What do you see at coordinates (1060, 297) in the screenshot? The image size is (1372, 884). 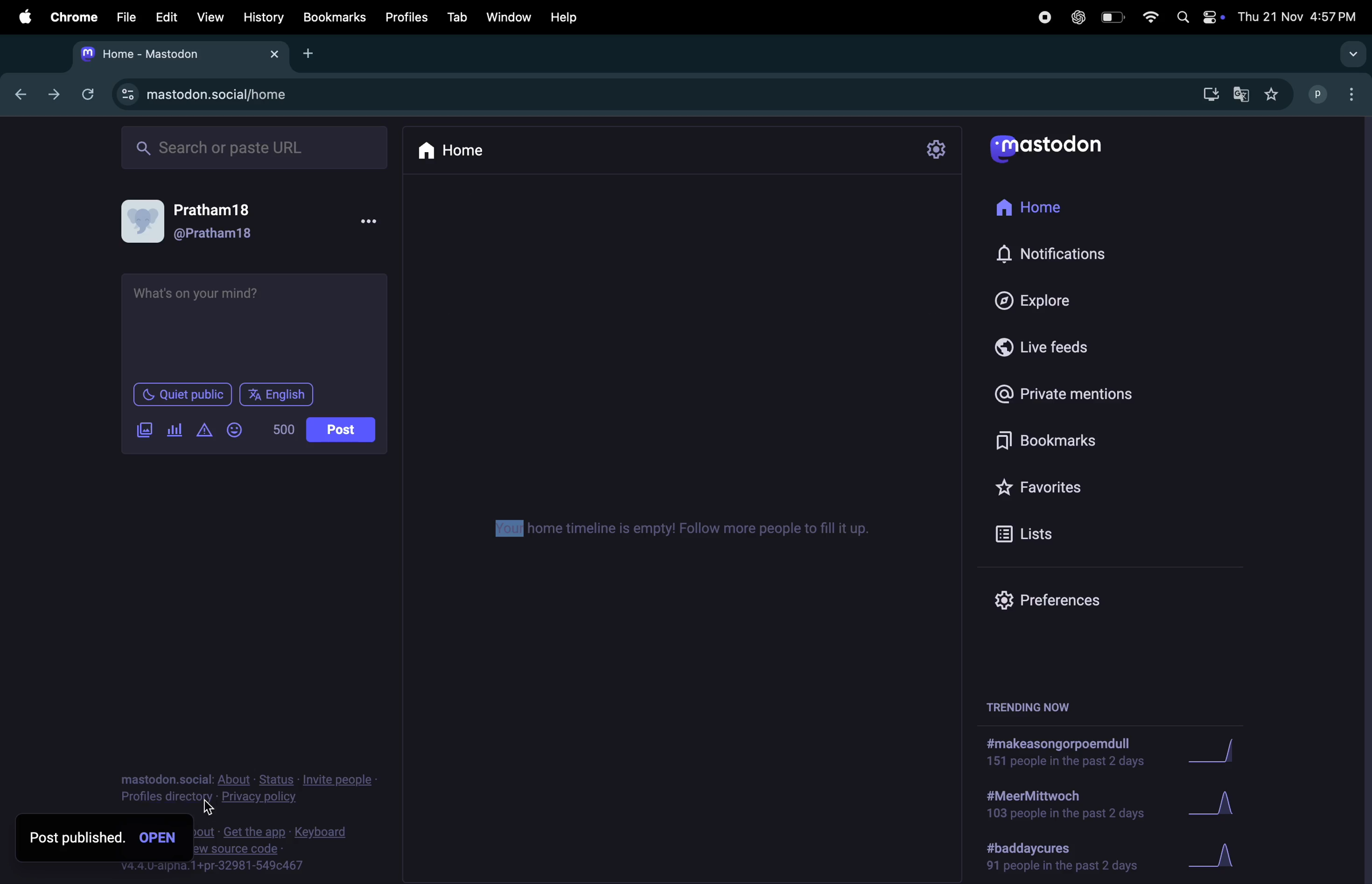 I see `explore` at bounding box center [1060, 297].